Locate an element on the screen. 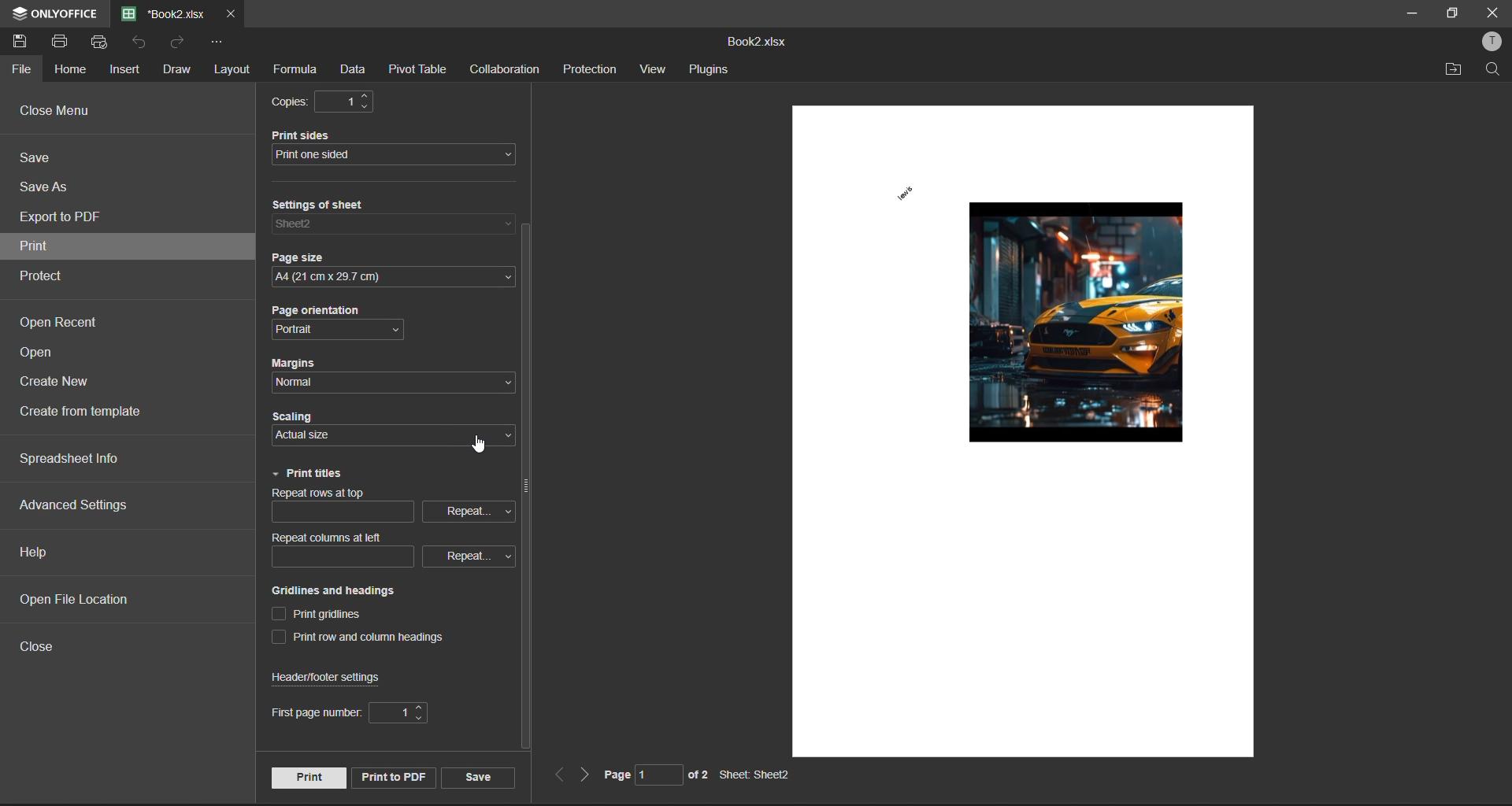 Image resolution: width=1512 pixels, height=806 pixels. formula is located at coordinates (296, 70).